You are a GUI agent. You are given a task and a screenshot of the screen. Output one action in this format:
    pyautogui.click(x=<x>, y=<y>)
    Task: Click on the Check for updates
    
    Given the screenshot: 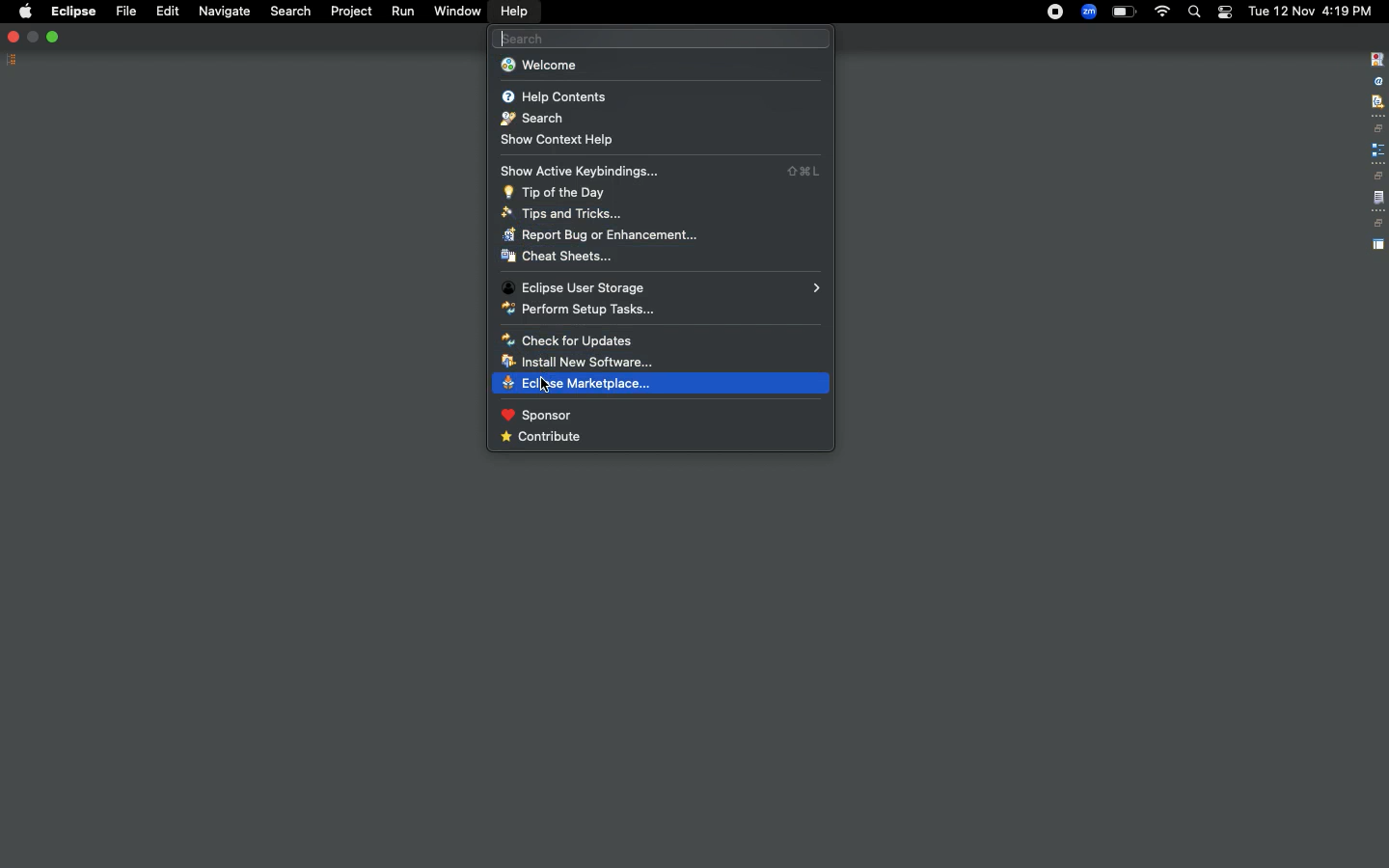 What is the action you would take?
    pyautogui.click(x=564, y=339)
    